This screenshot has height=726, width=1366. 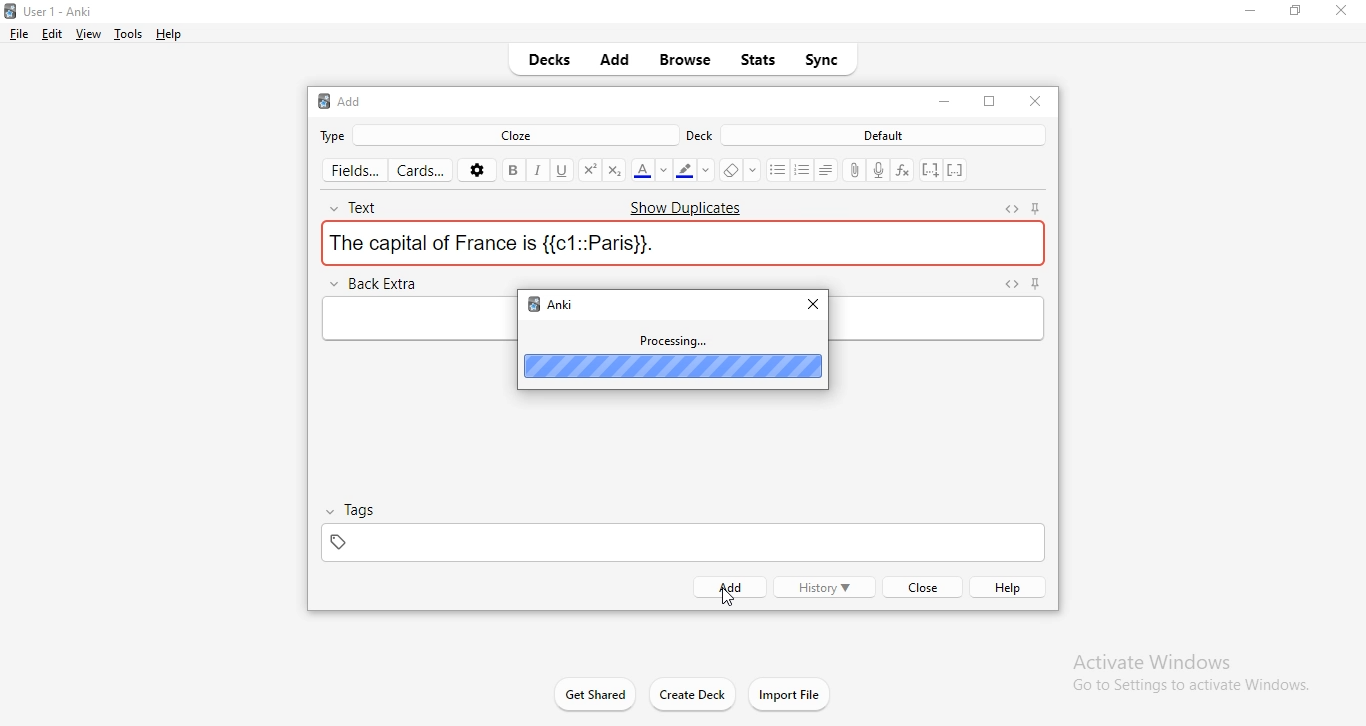 I want to click on progress bar, so click(x=669, y=368).